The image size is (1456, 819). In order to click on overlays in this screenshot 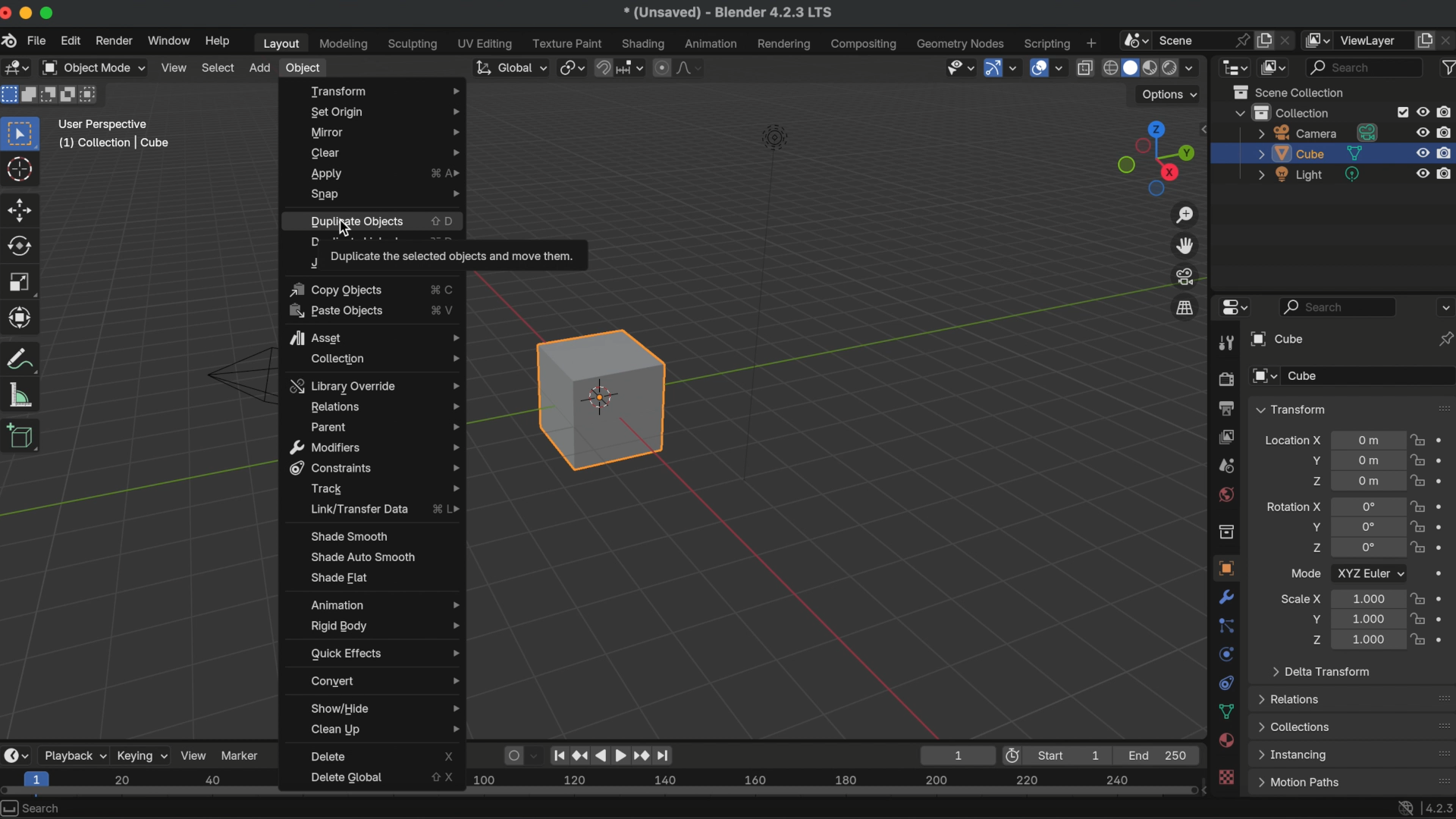, I will do `click(1061, 69)`.